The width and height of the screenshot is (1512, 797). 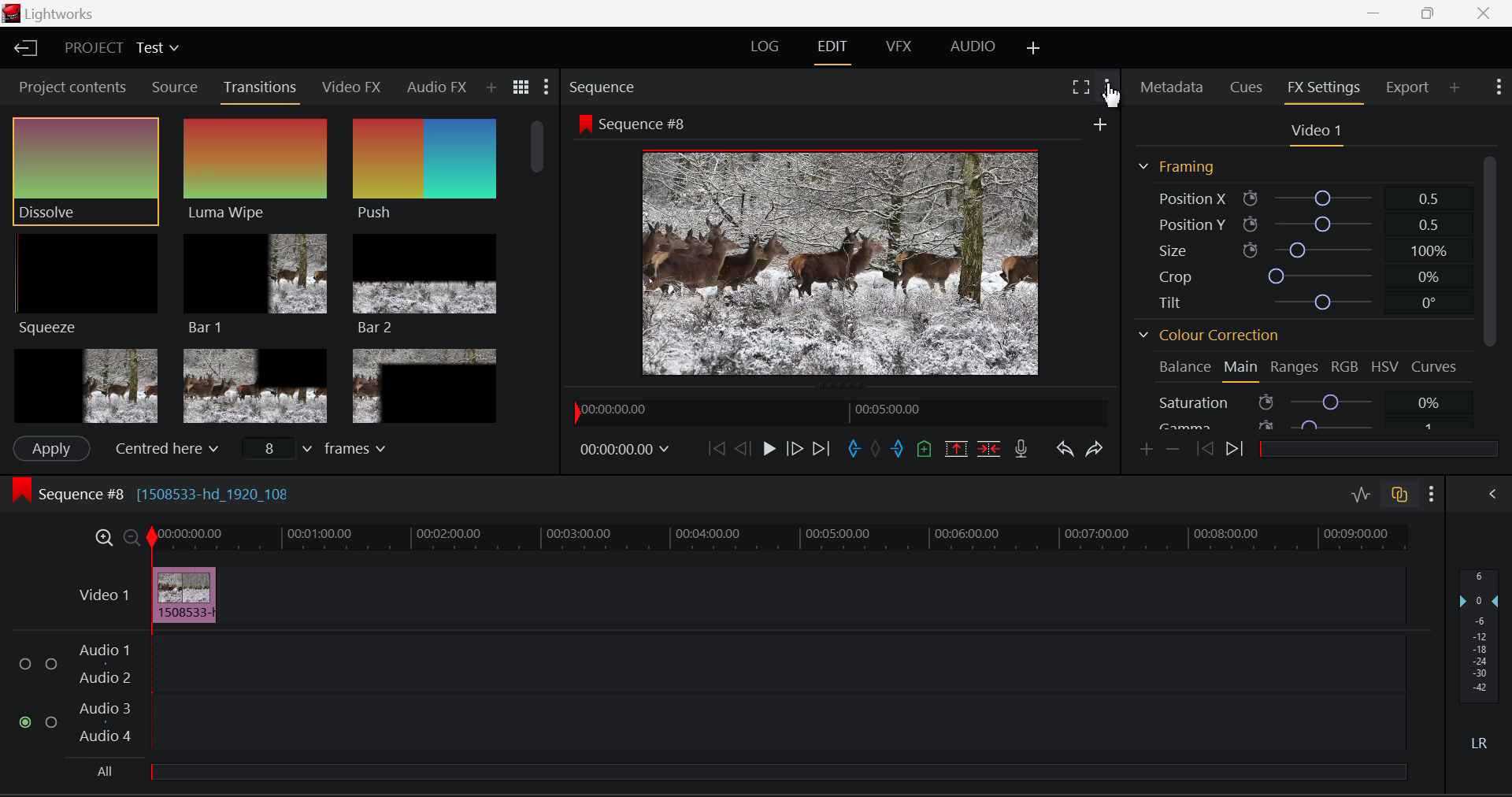 I want to click on Show Audio Mix, so click(x=1492, y=494).